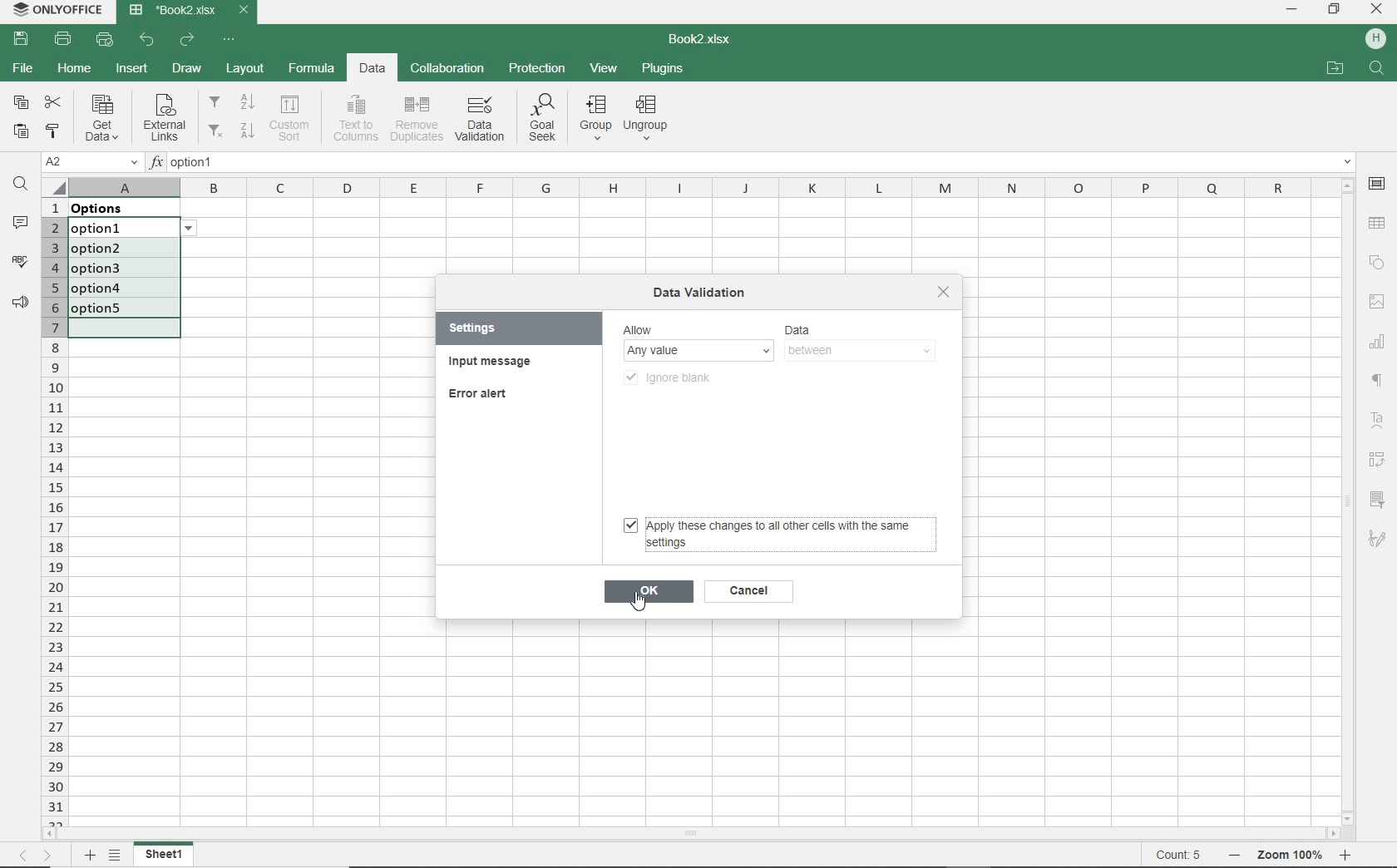  Describe the element at coordinates (649, 118) in the screenshot. I see `Ungroup` at that location.